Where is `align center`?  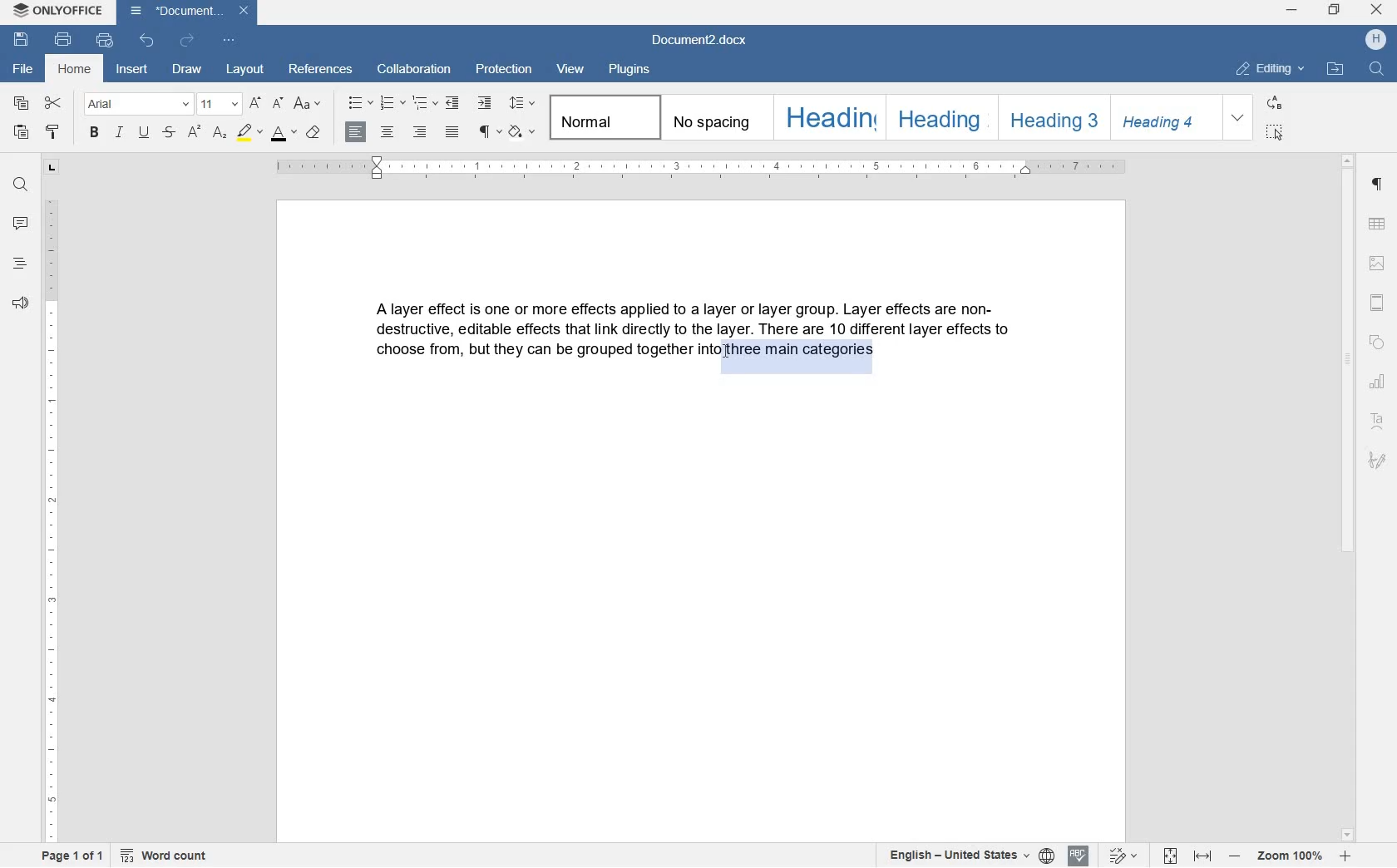 align center is located at coordinates (388, 136).